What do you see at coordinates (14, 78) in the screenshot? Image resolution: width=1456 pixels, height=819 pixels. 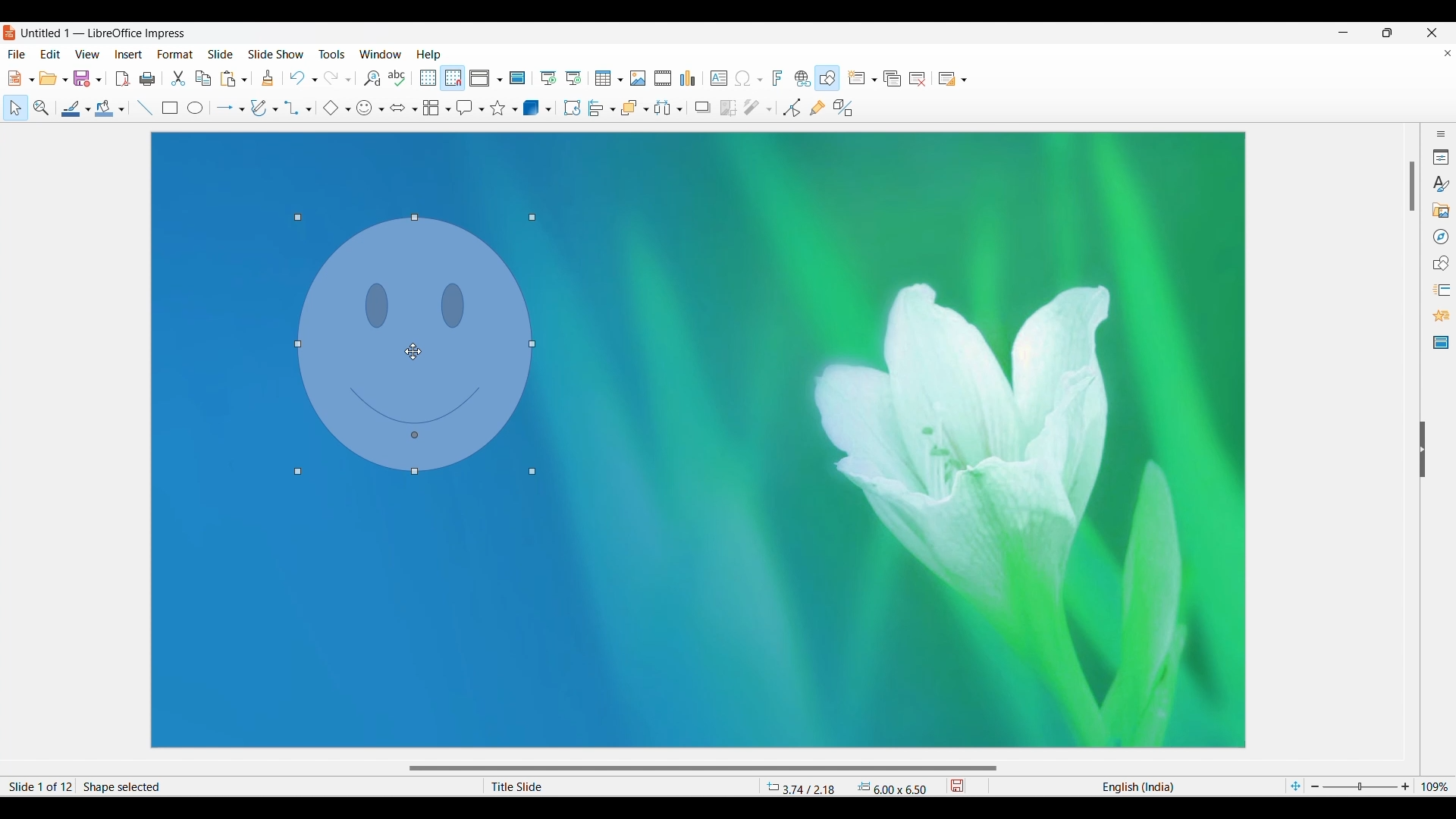 I see `New` at bounding box center [14, 78].